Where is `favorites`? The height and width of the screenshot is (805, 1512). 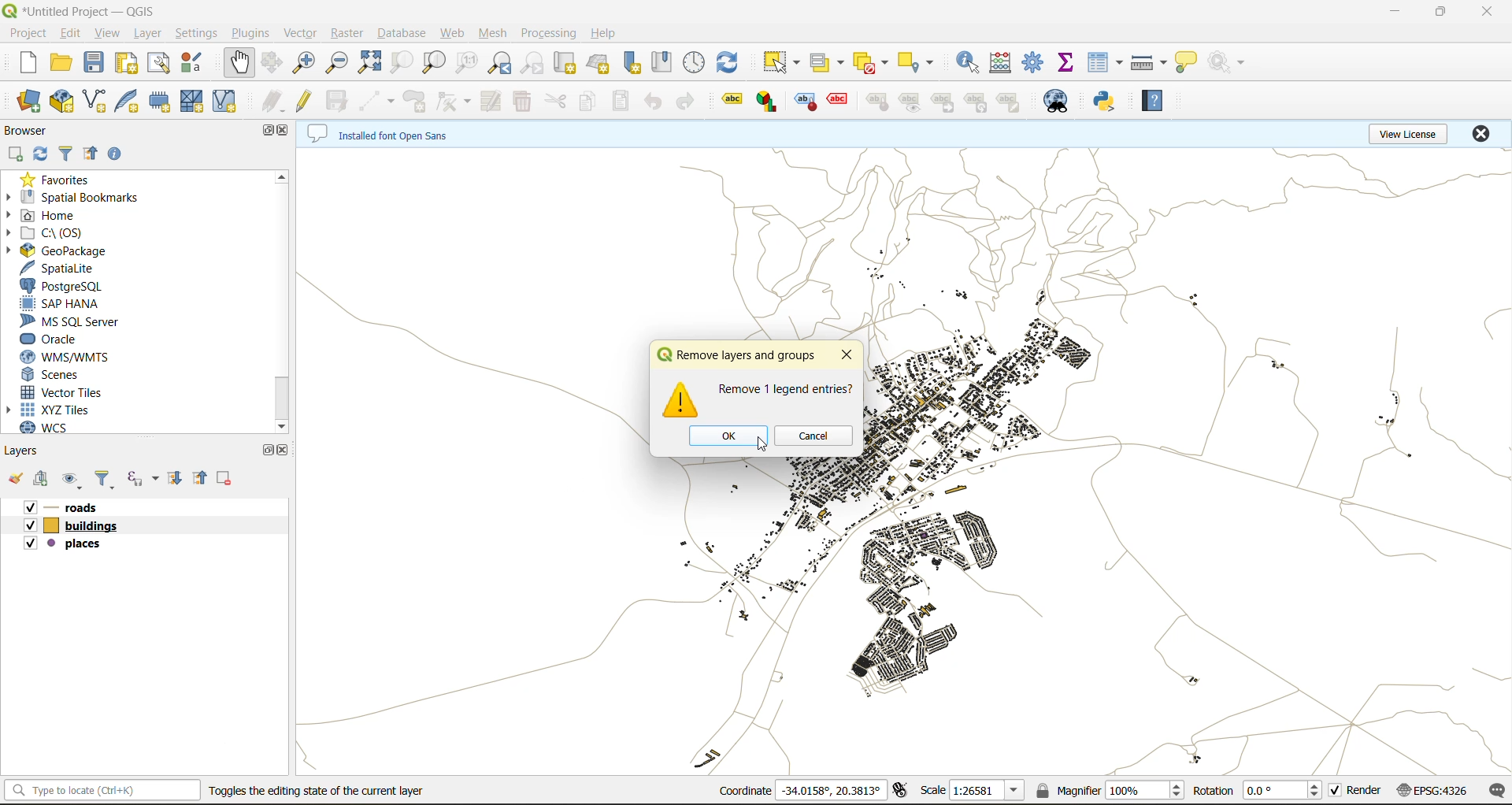 favorites is located at coordinates (57, 180).